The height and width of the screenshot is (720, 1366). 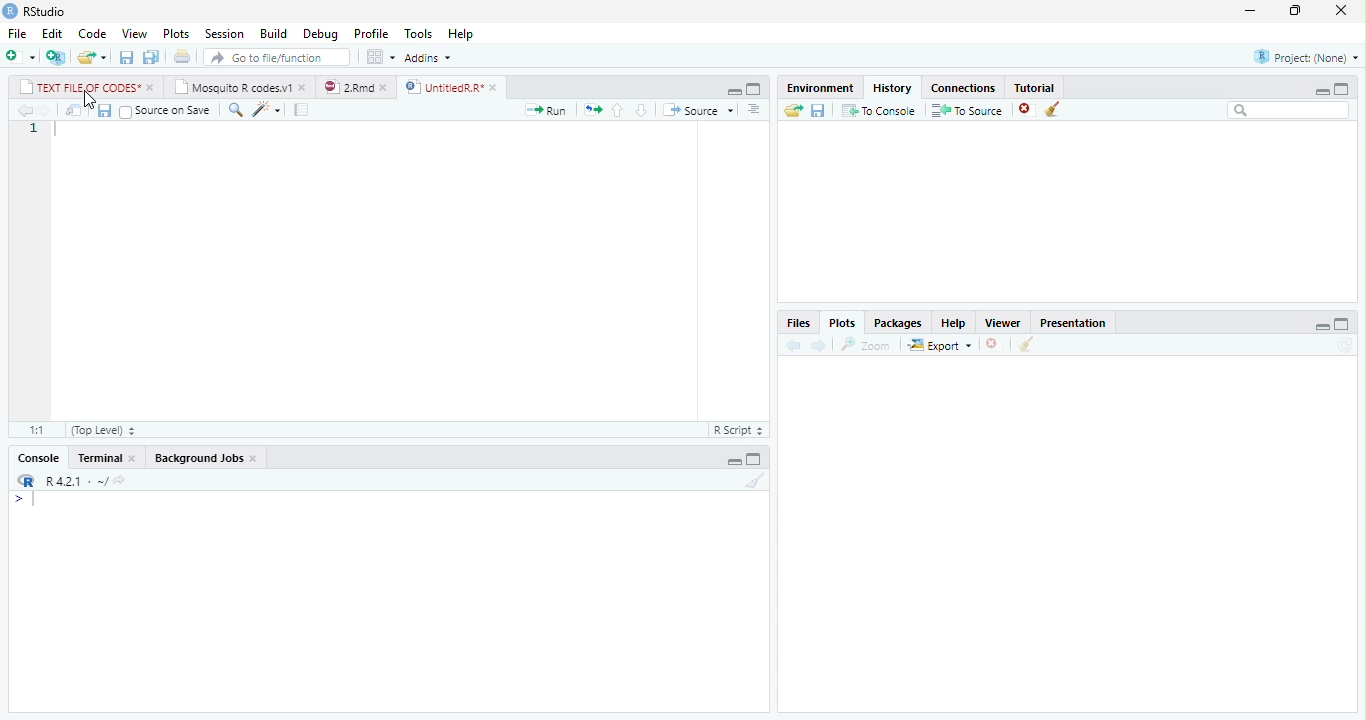 I want to click on open file, so click(x=92, y=57).